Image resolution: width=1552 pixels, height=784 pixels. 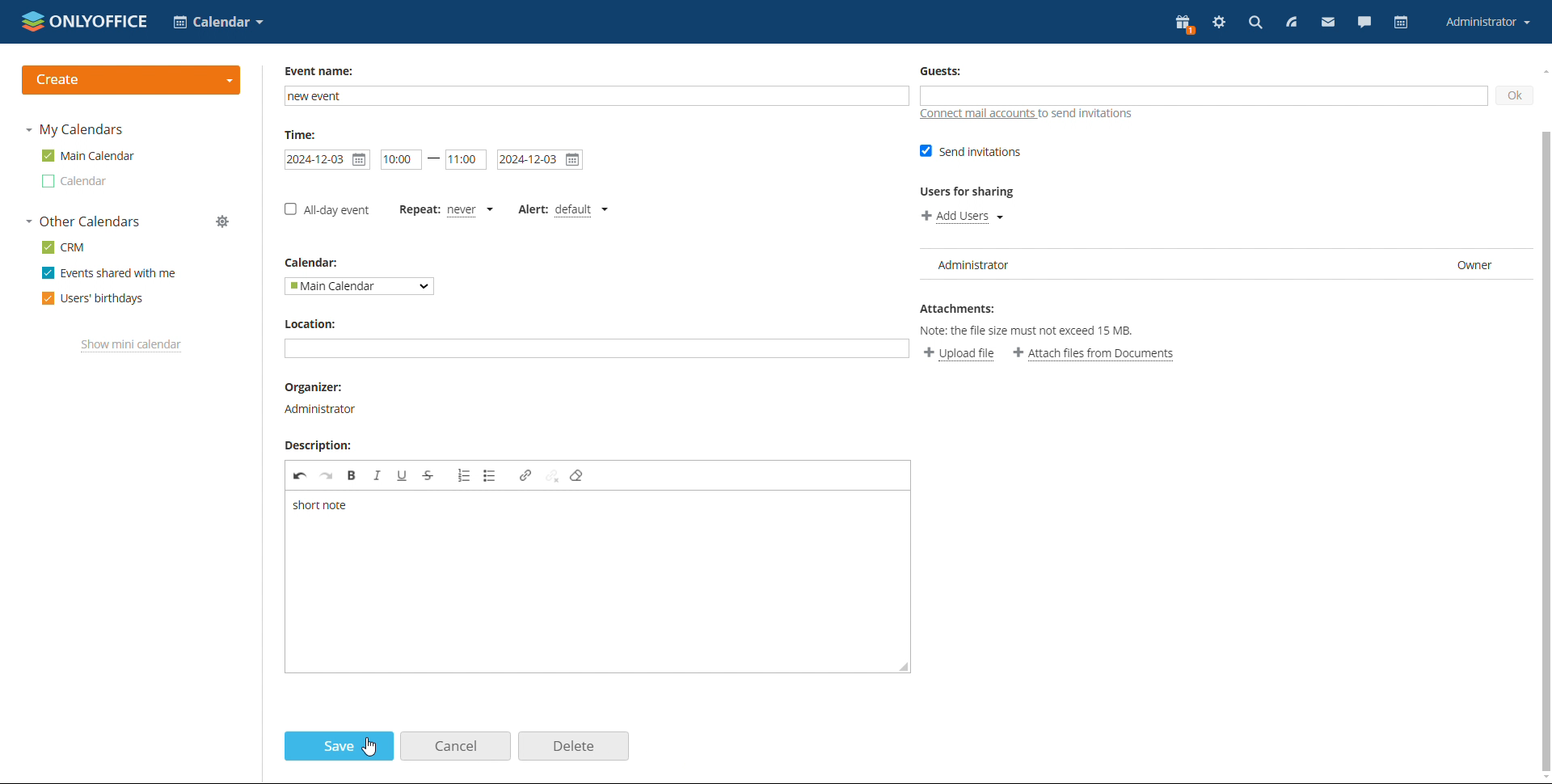 I want to click on feed, so click(x=1291, y=23).